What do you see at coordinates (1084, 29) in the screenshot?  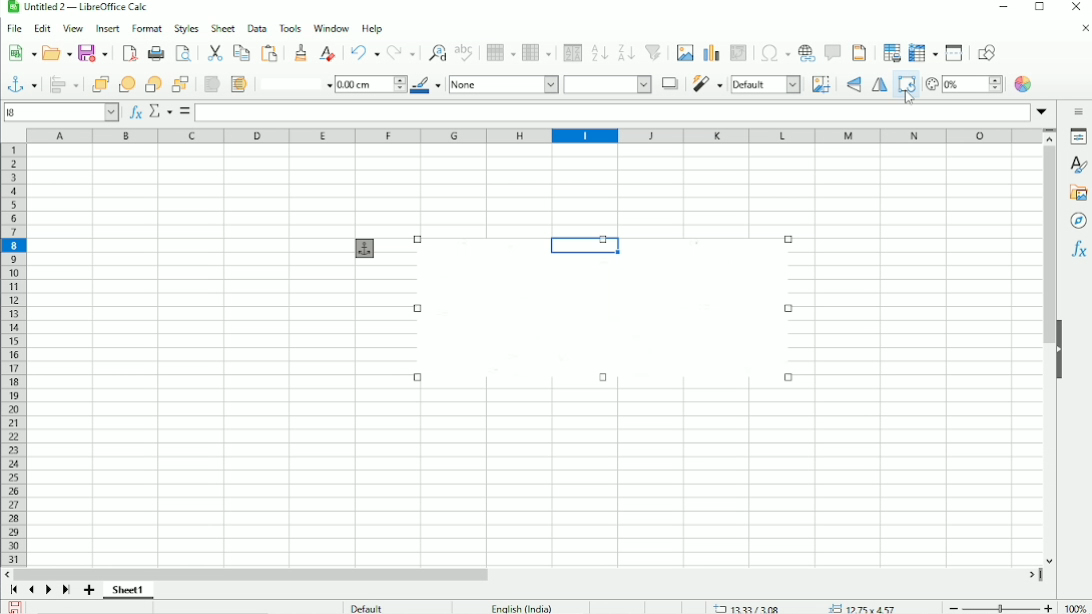 I see `Close document` at bounding box center [1084, 29].